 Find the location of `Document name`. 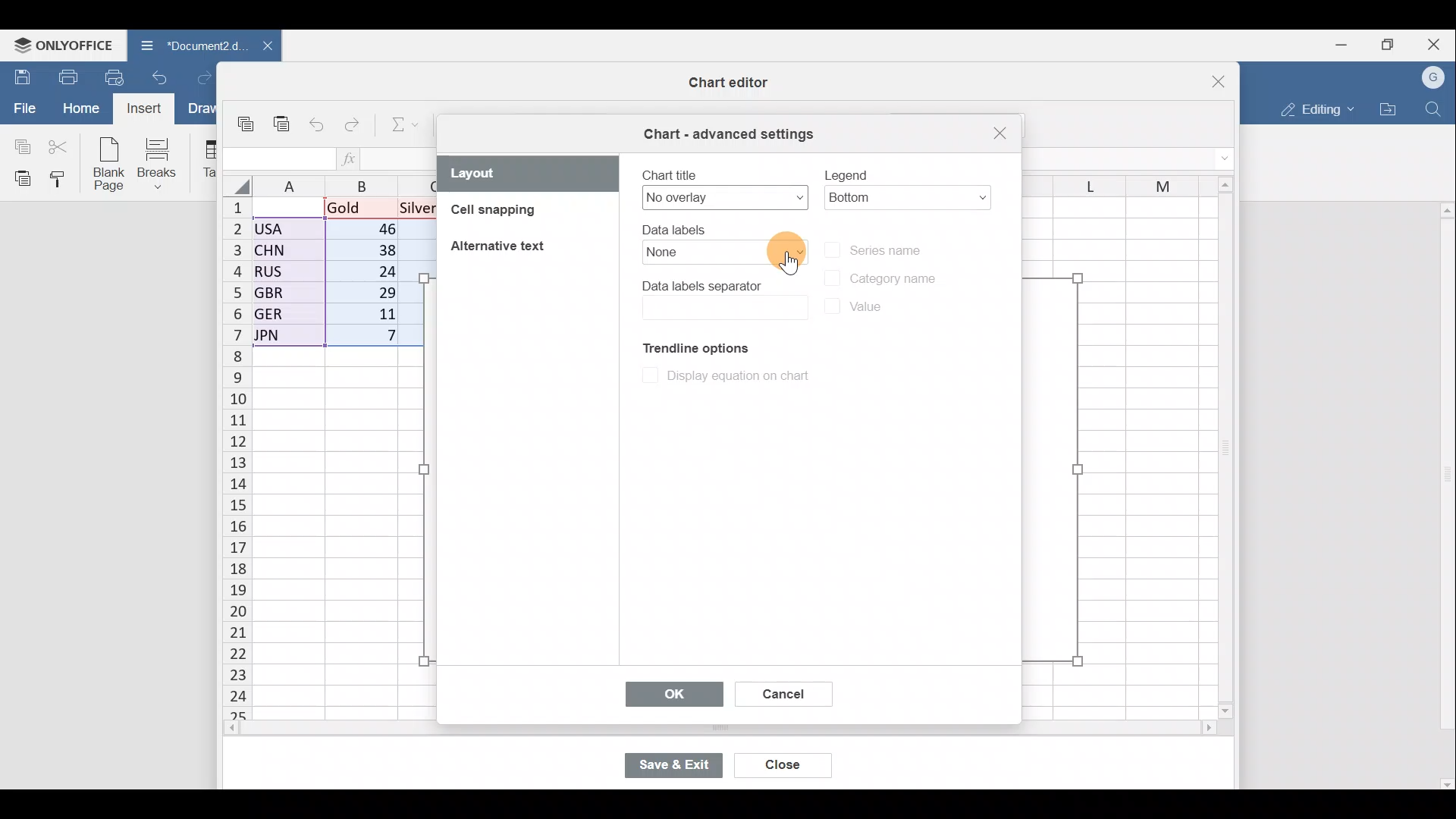

Document name is located at coordinates (186, 44).